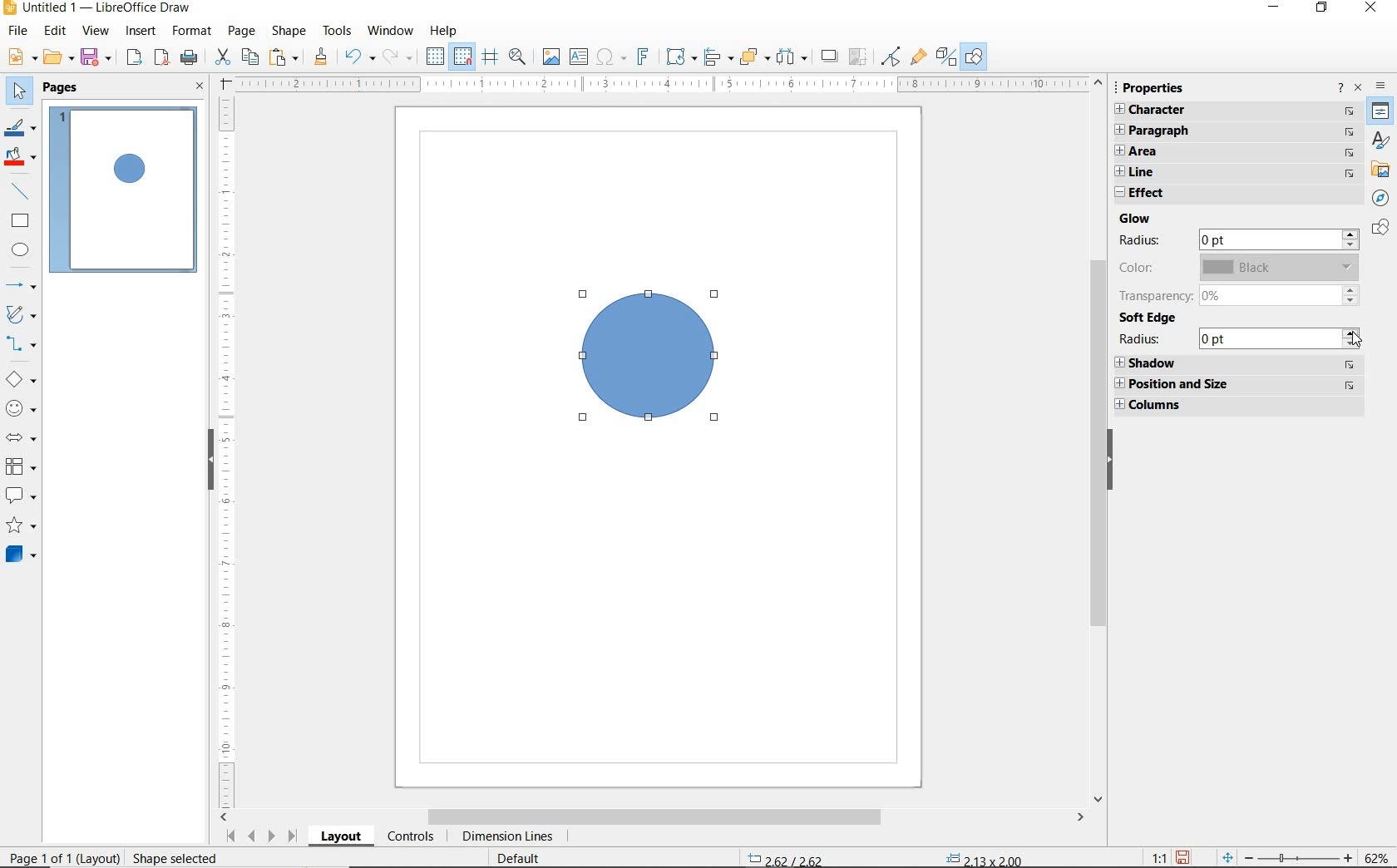 Image resolution: width=1397 pixels, height=868 pixels. I want to click on cursor, so click(1358, 343).